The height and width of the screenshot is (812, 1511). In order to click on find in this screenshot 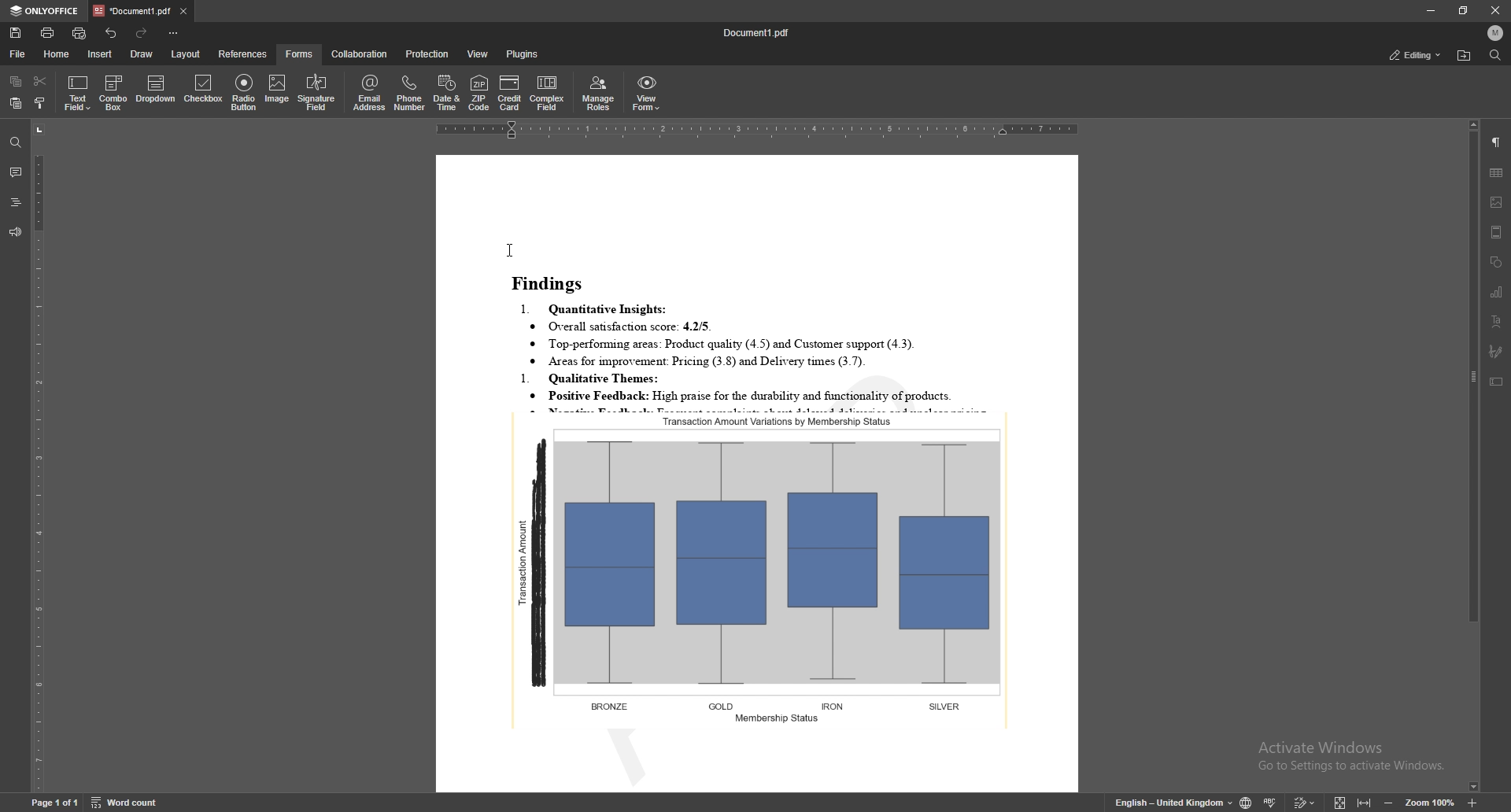, I will do `click(1496, 56)`.